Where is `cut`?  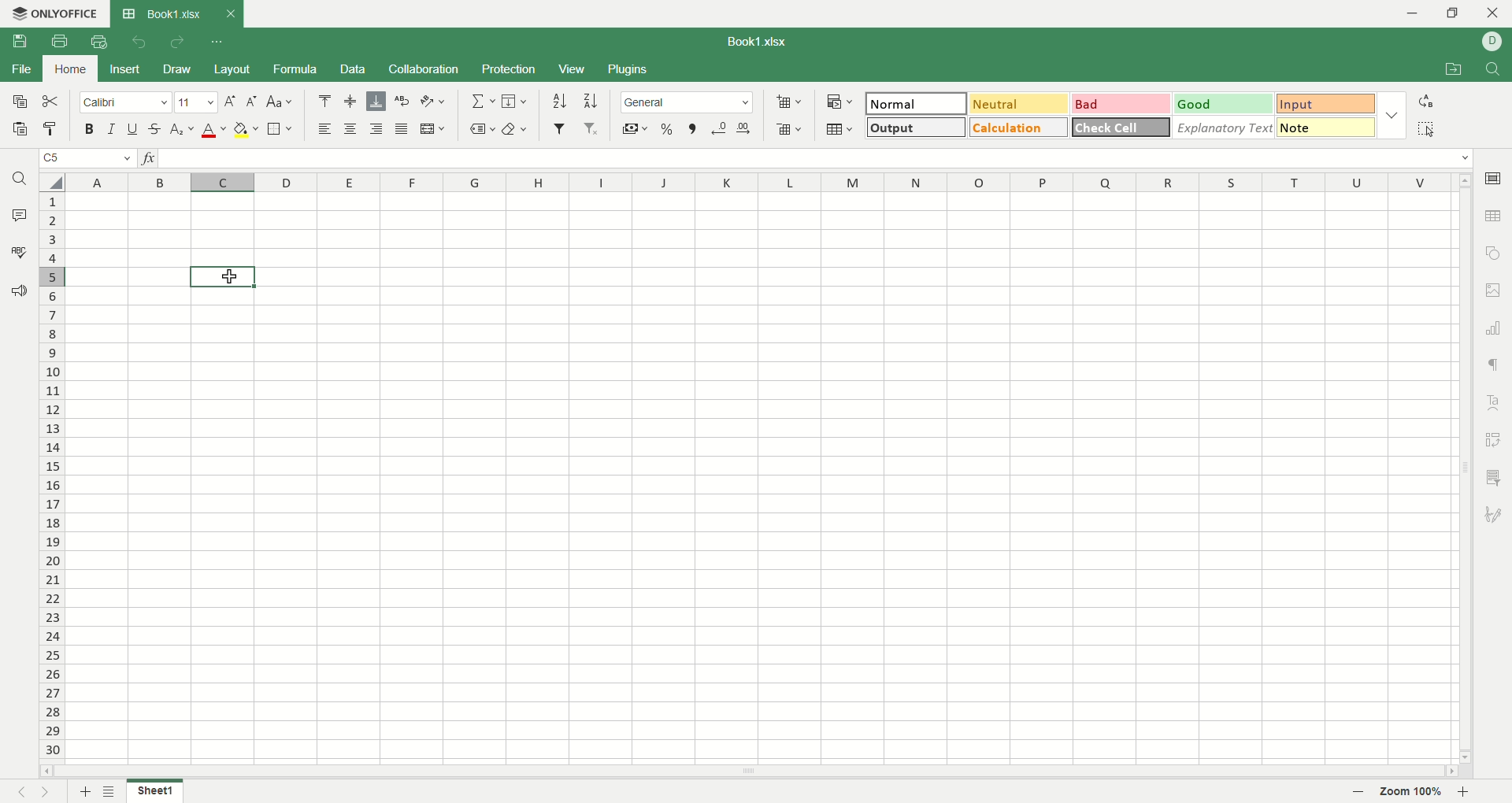 cut is located at coordinates (54, 102).